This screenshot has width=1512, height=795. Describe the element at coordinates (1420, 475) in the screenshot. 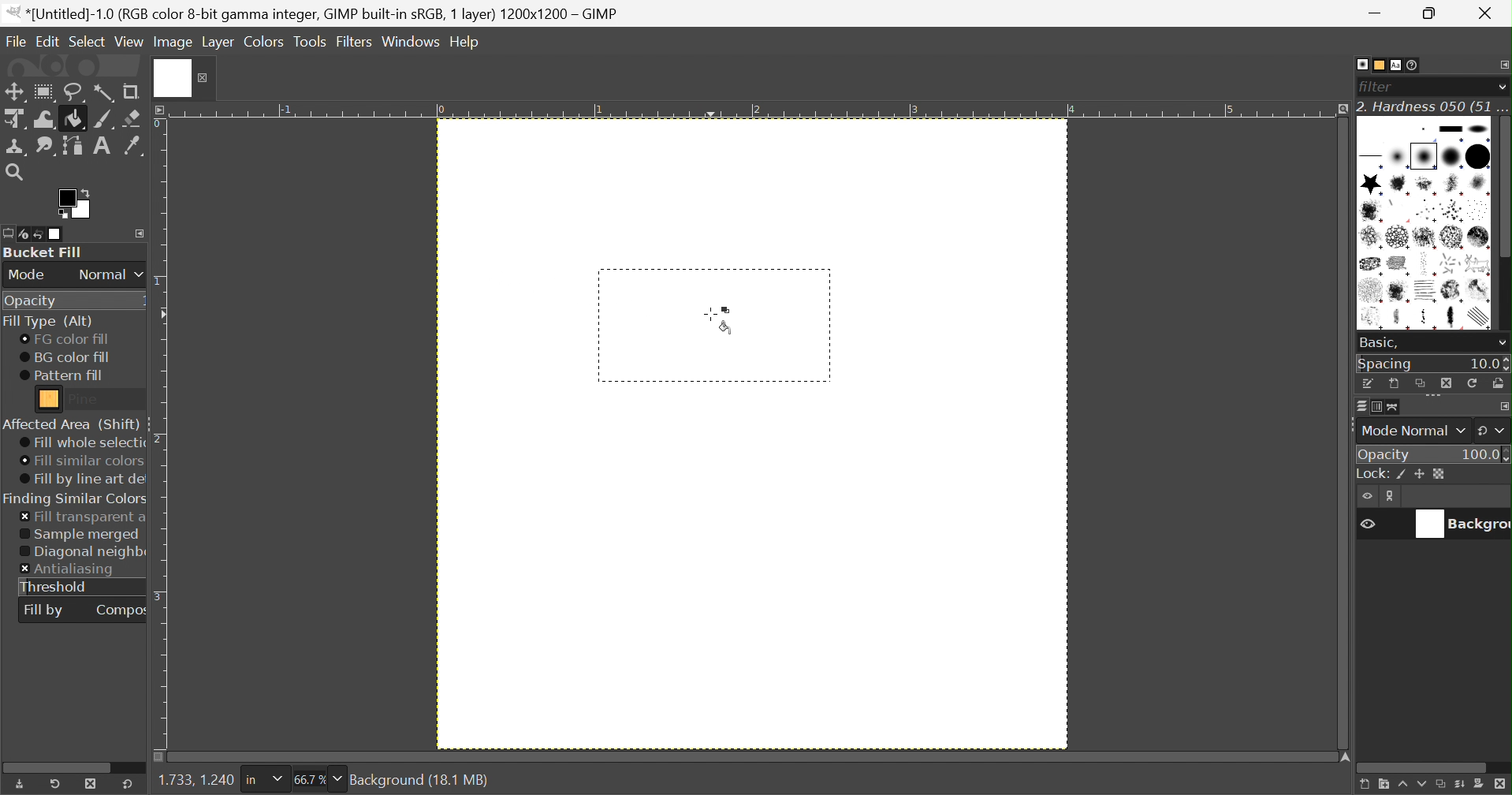

I see `Lock positions and size` at that location.